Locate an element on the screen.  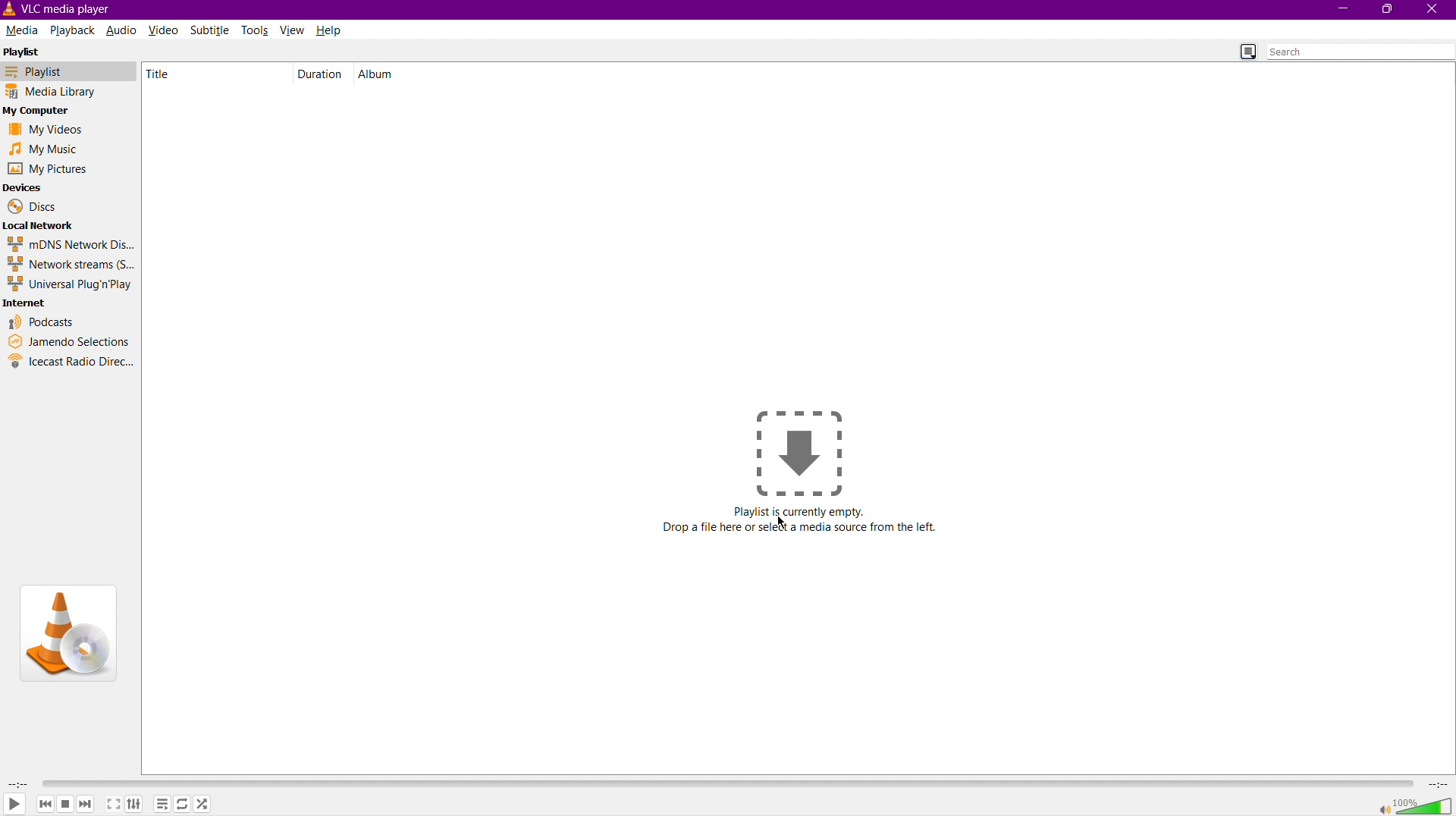
View is located at coordinates (293, 29).